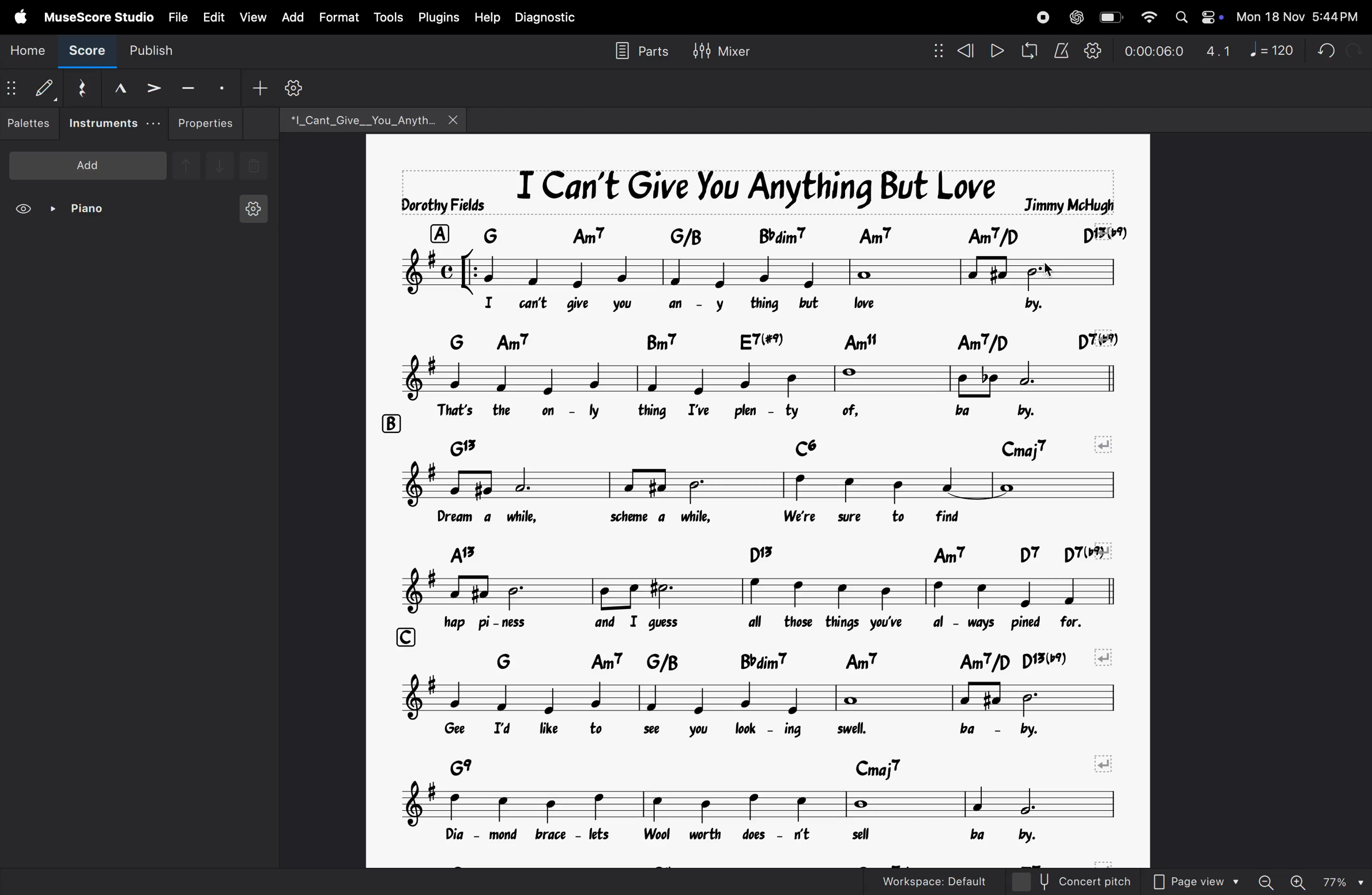 The height and width of the screenshot is (895, 1372). I want to click on chord notes, so click(785, 447).